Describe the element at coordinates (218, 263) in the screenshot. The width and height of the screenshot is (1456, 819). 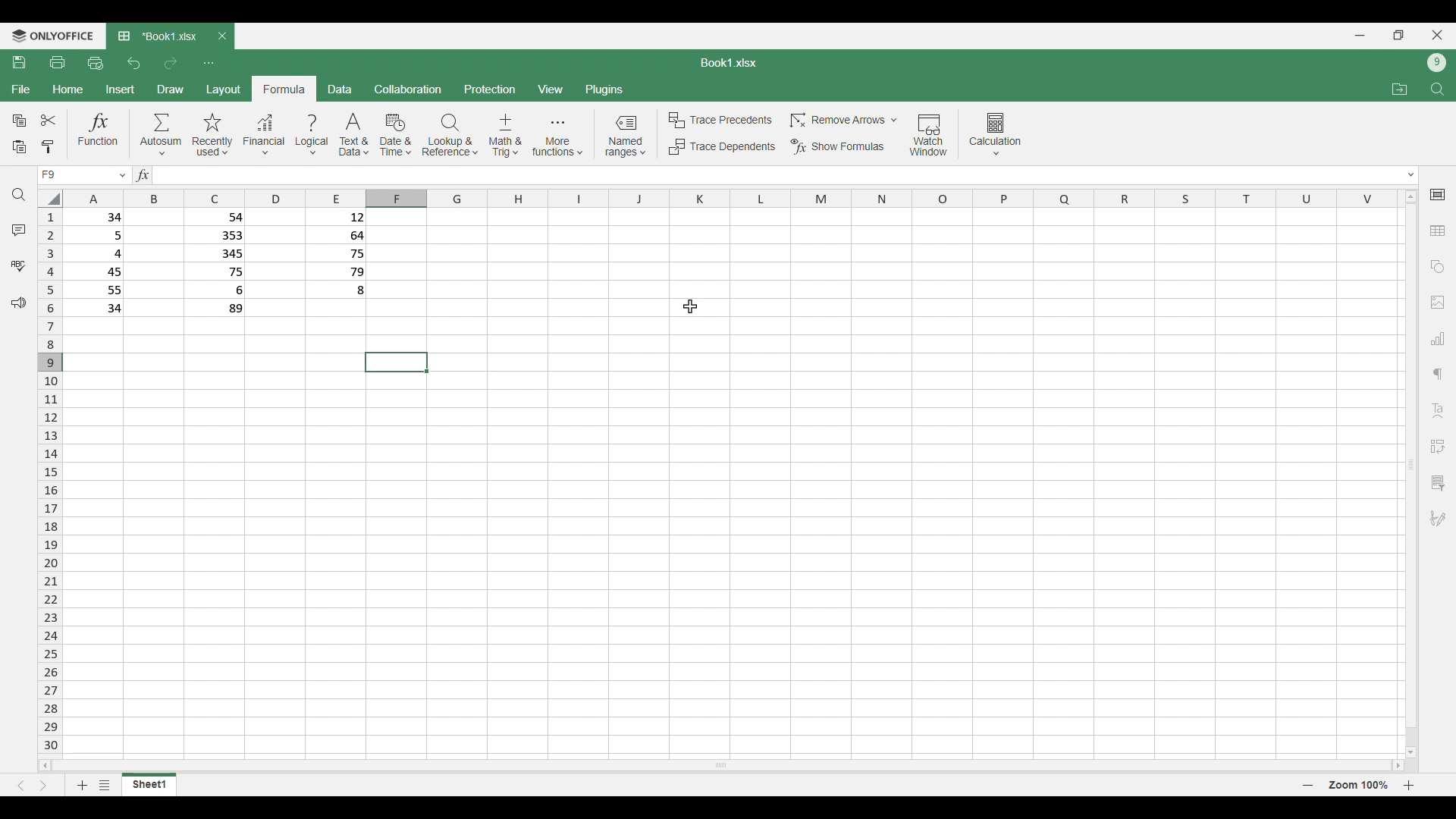
I see `Filled cells` at that location.